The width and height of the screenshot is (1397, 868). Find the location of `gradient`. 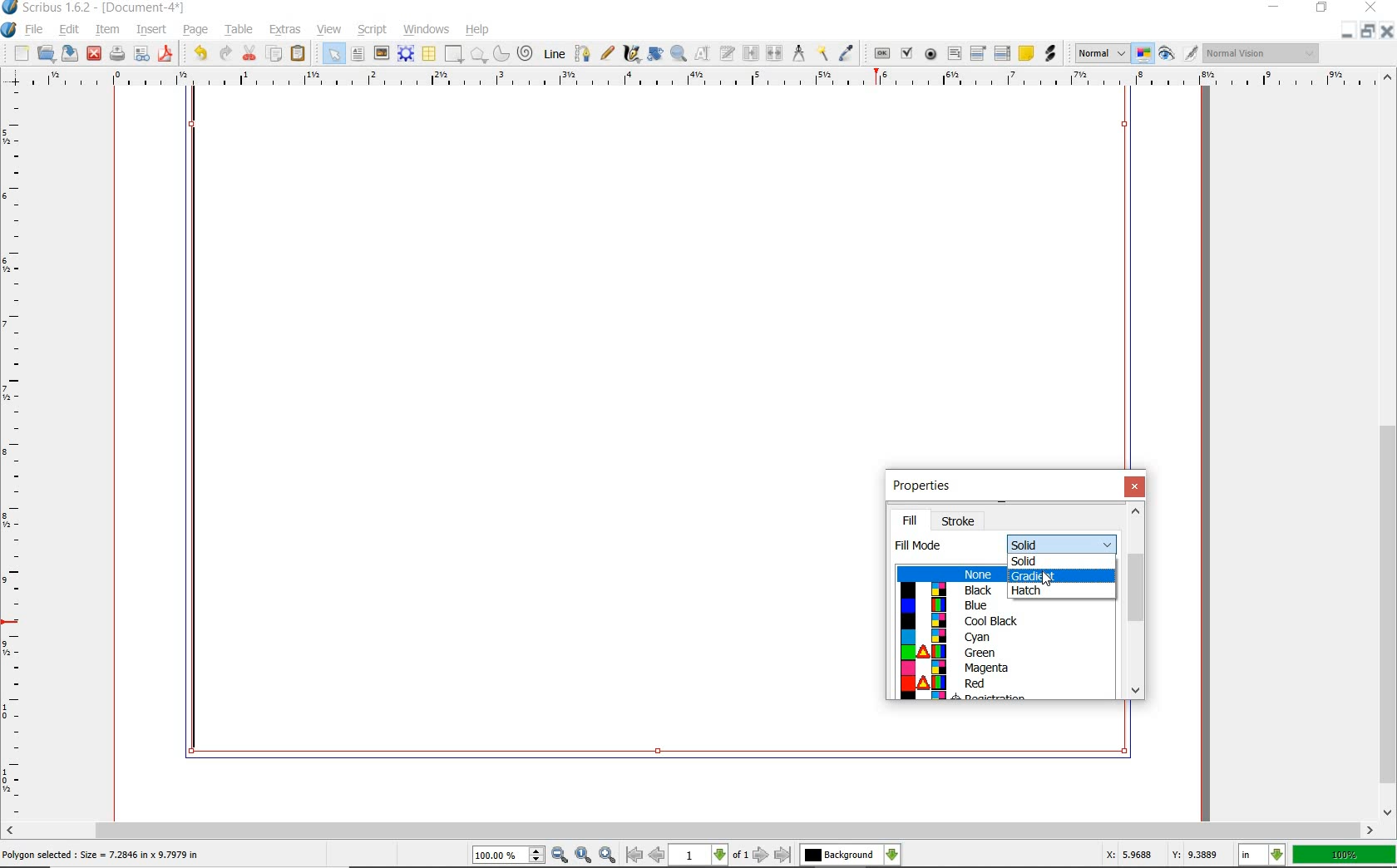

gradient is located at coordinates (1063, 575).